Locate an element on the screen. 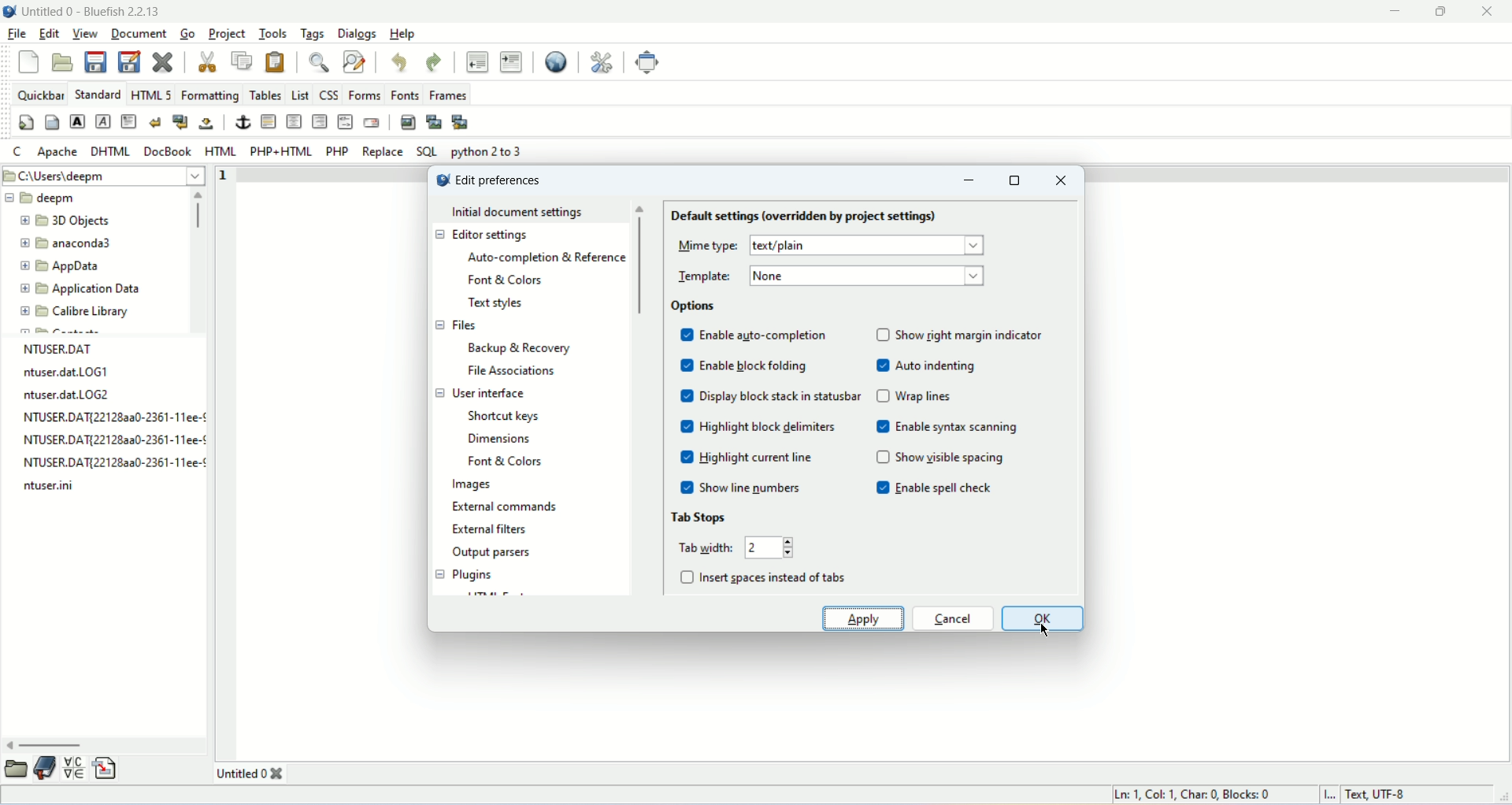  insert spaces instead of tabs is located at coordinates (776, 579).